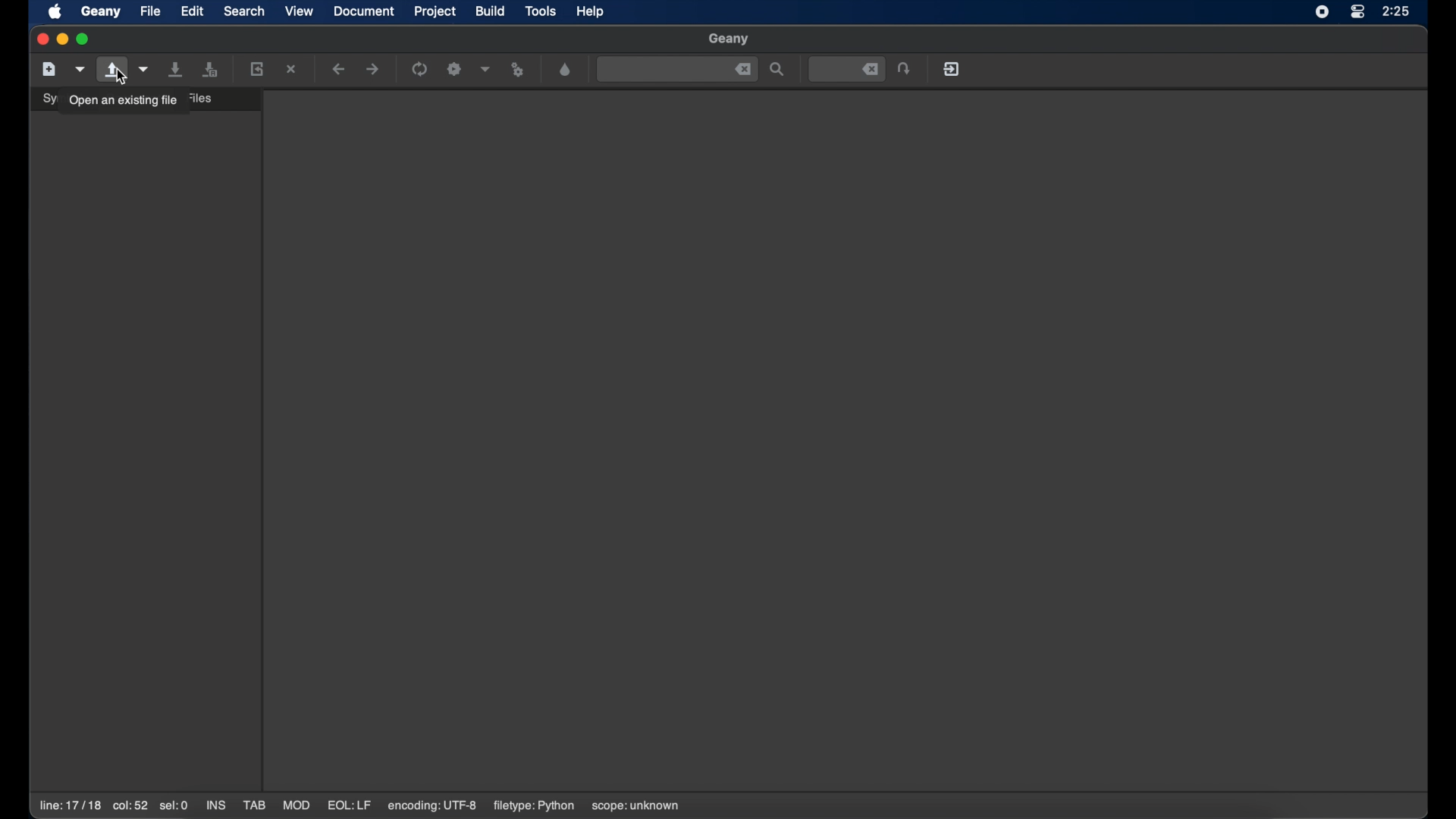 The width and height of the screenshot is (1456, 819). I want to click on run or view file, so click(517, 71).